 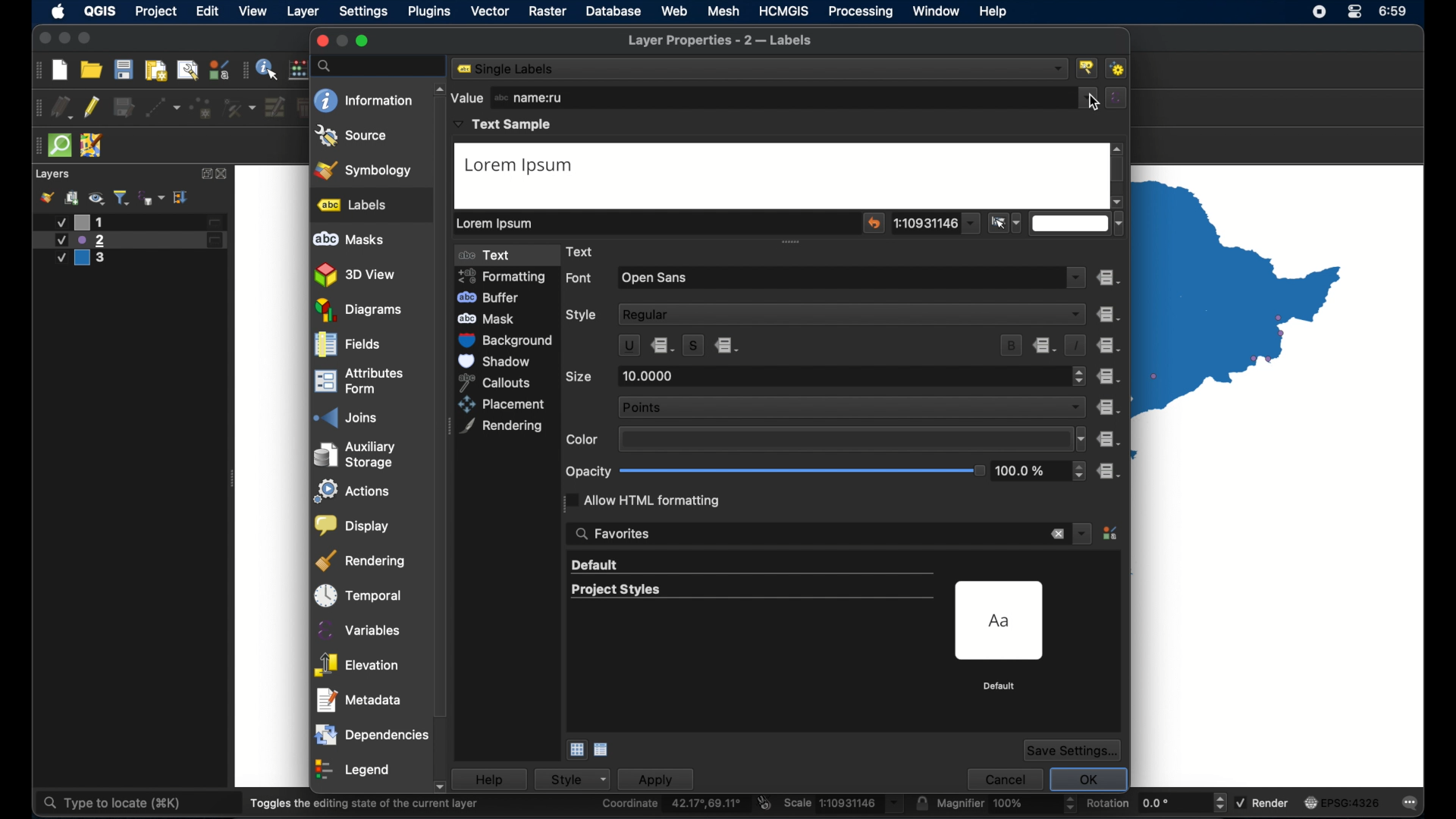 I want to click on size, so click(x=579, y=376).